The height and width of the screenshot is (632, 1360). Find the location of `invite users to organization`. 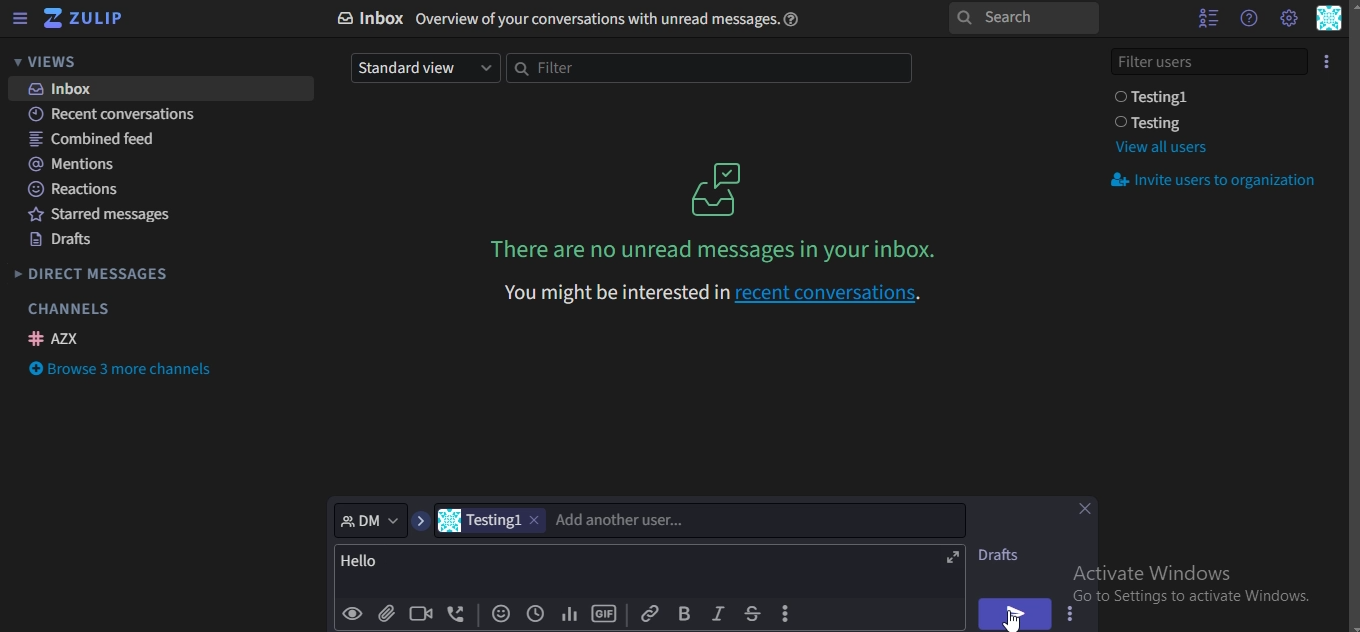

invite users to organization is located at coordinates (1217, 182).